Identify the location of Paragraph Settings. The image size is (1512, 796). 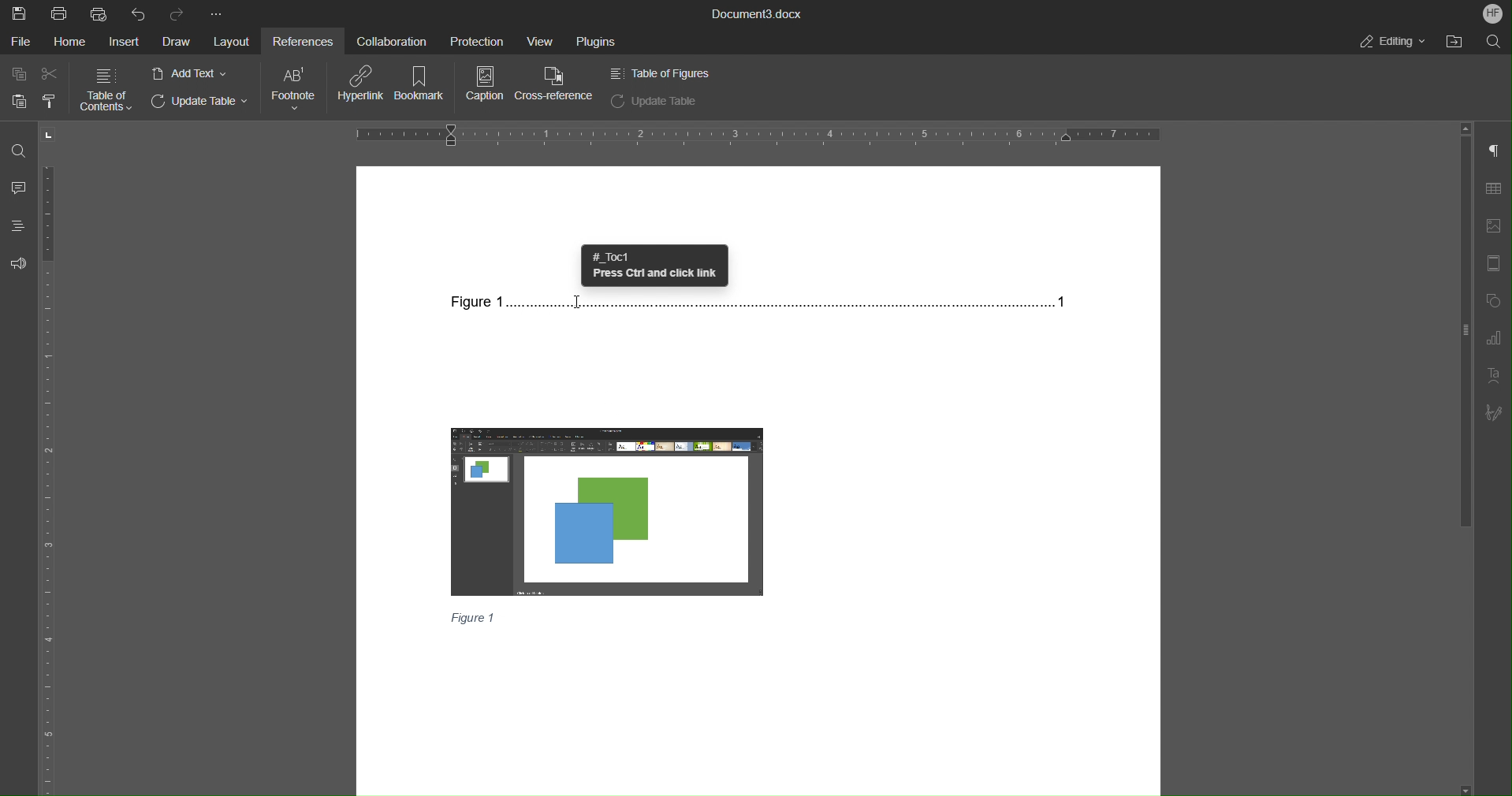
(1494, 153).